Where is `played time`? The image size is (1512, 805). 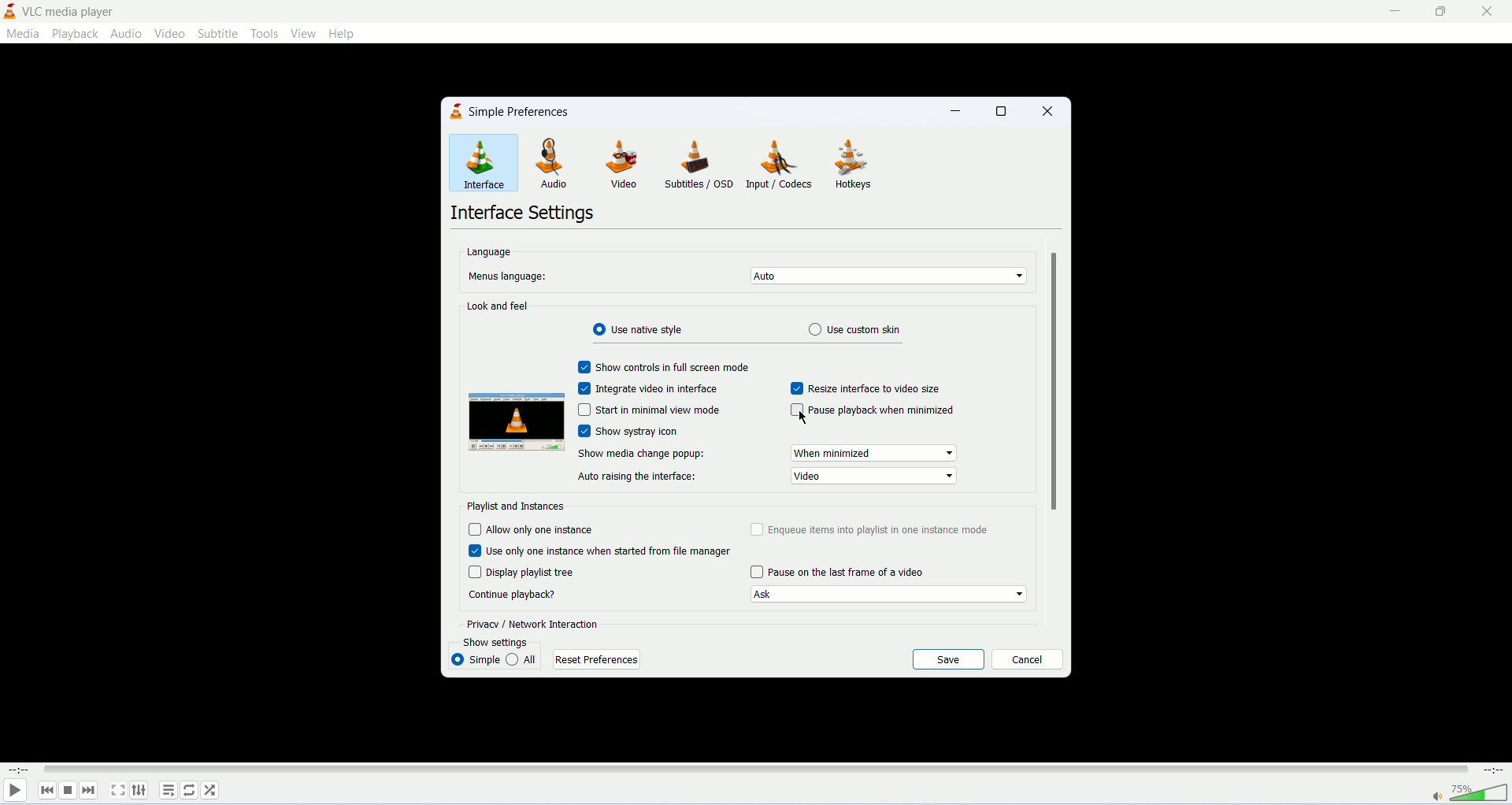 played time is located at coordinates (15, 771).